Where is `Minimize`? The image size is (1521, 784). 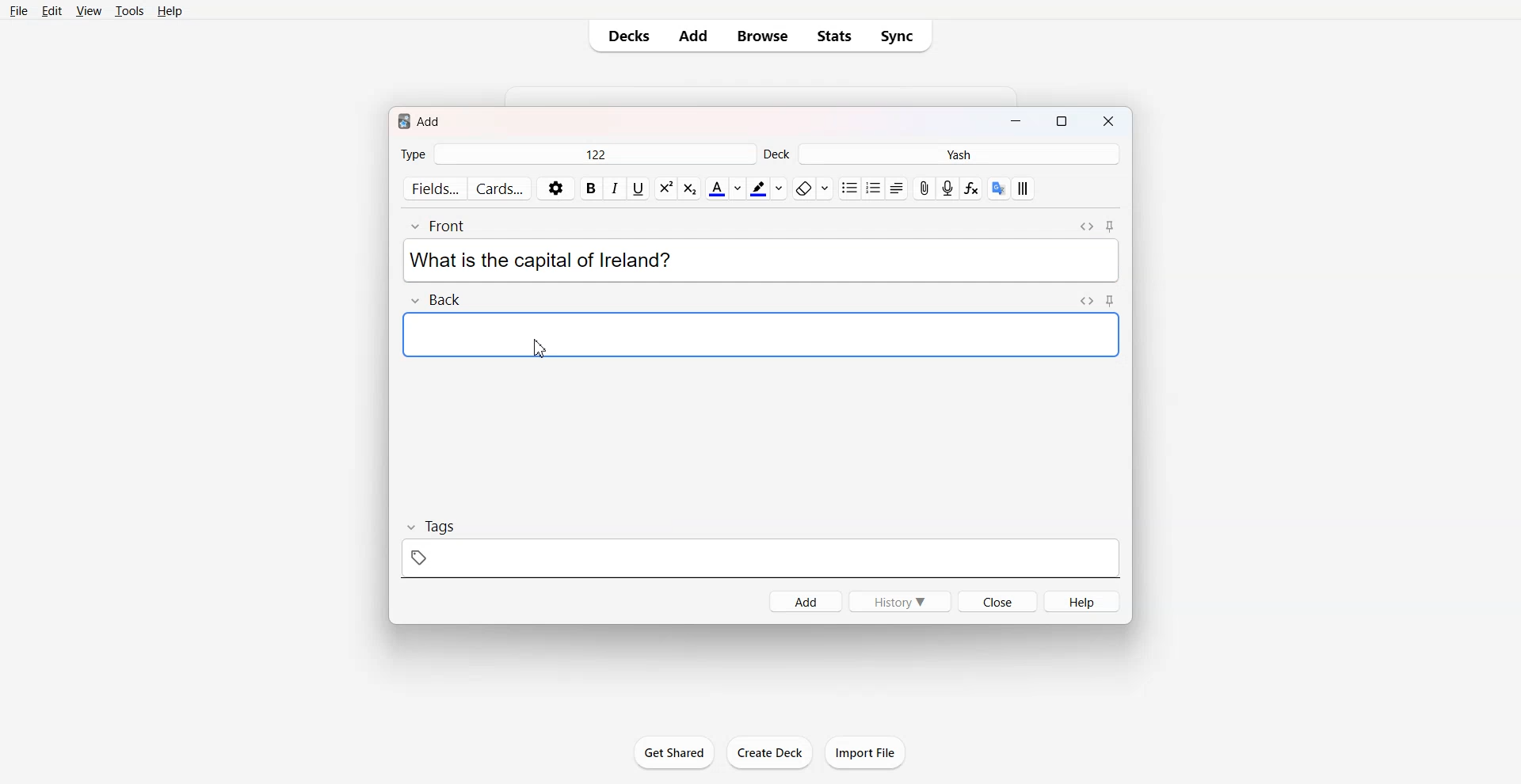
Minimize is located at coordinates (1015, 123).